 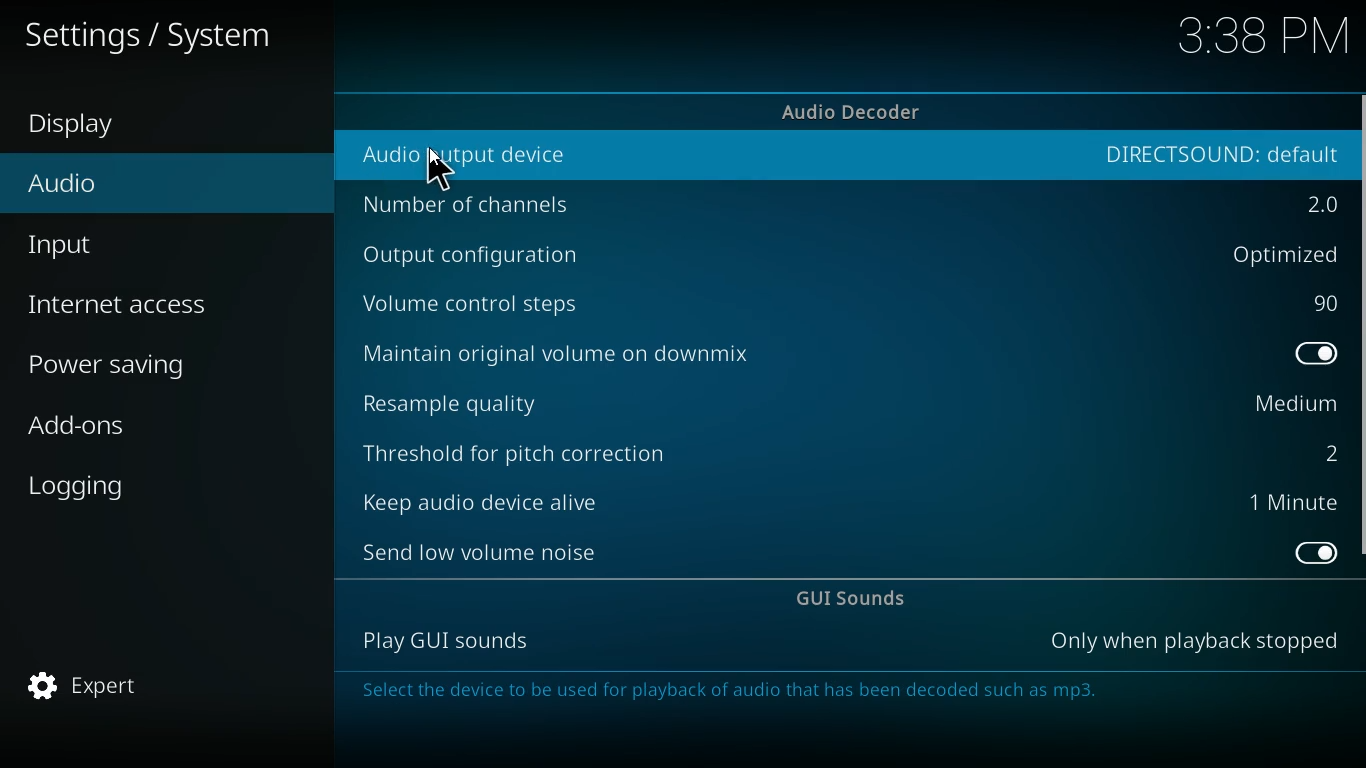 What do you see at coordinates (136, 482) in the screenshot?
I see `logging` at bounding box center [136, 482].